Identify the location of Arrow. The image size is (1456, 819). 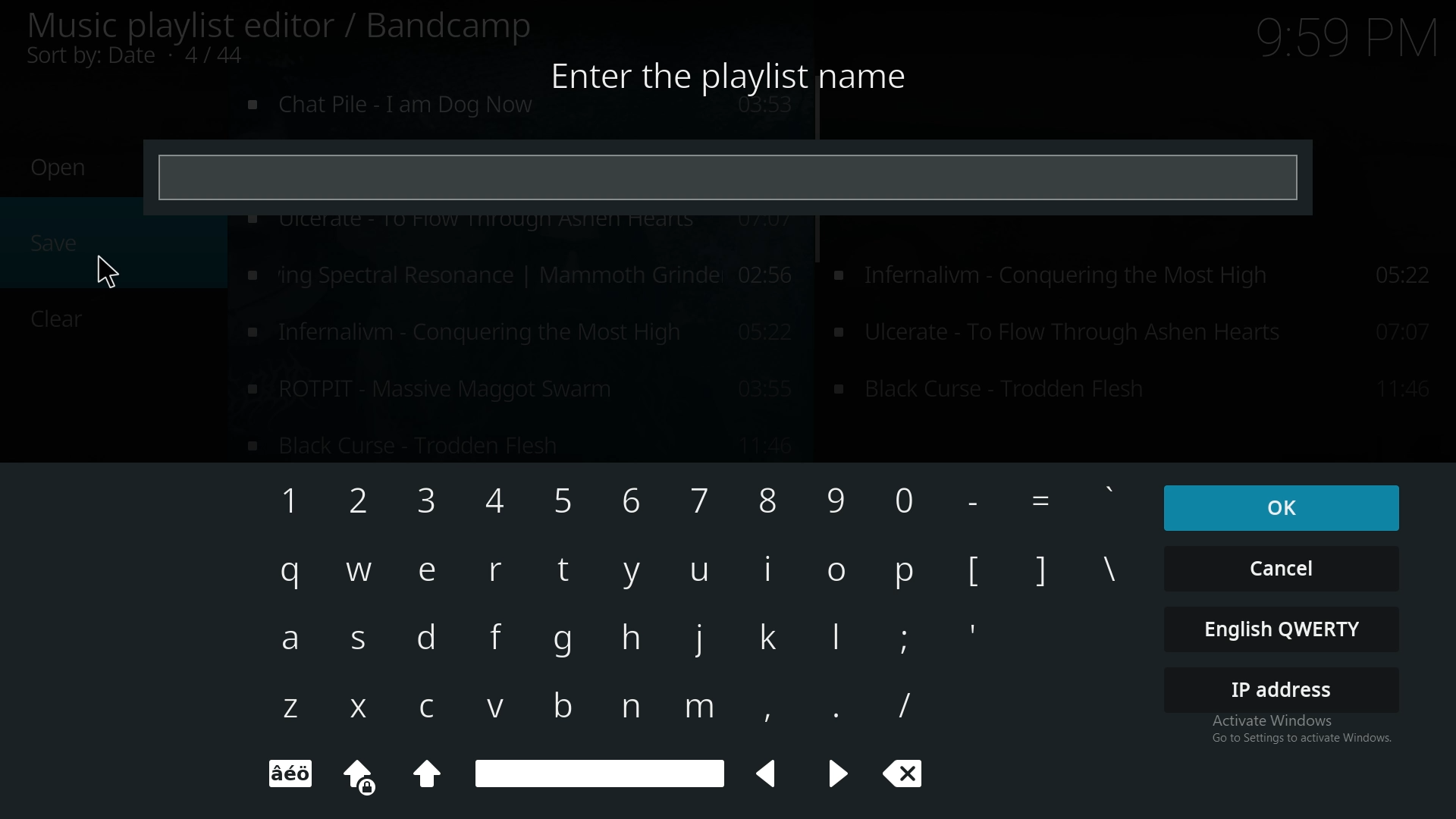
(773, 774).